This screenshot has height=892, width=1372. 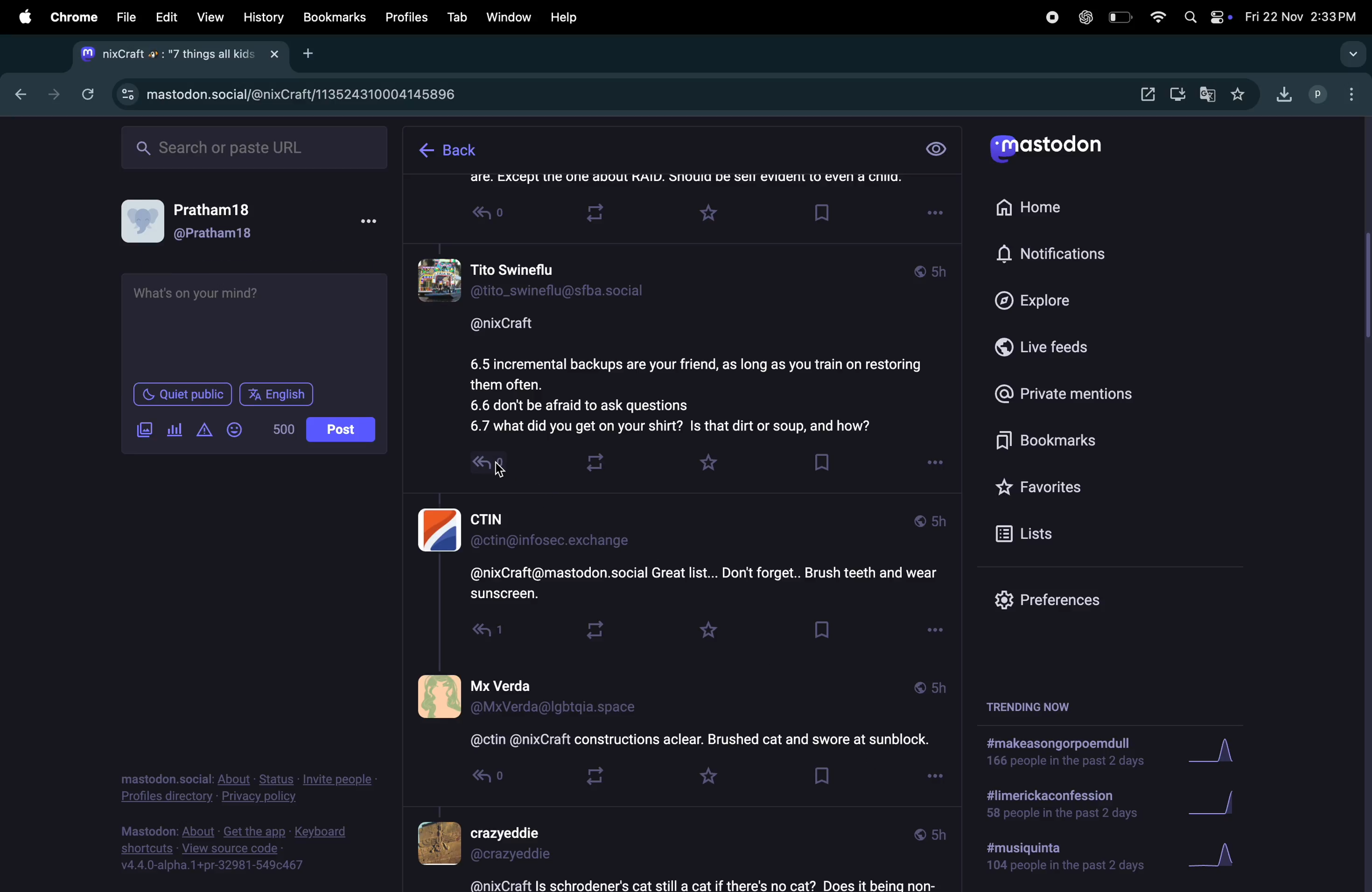 What do you see at coordinates (1083, 17) in the screenshot?
I see `chatgpt` at bounding box center [1083, 17].